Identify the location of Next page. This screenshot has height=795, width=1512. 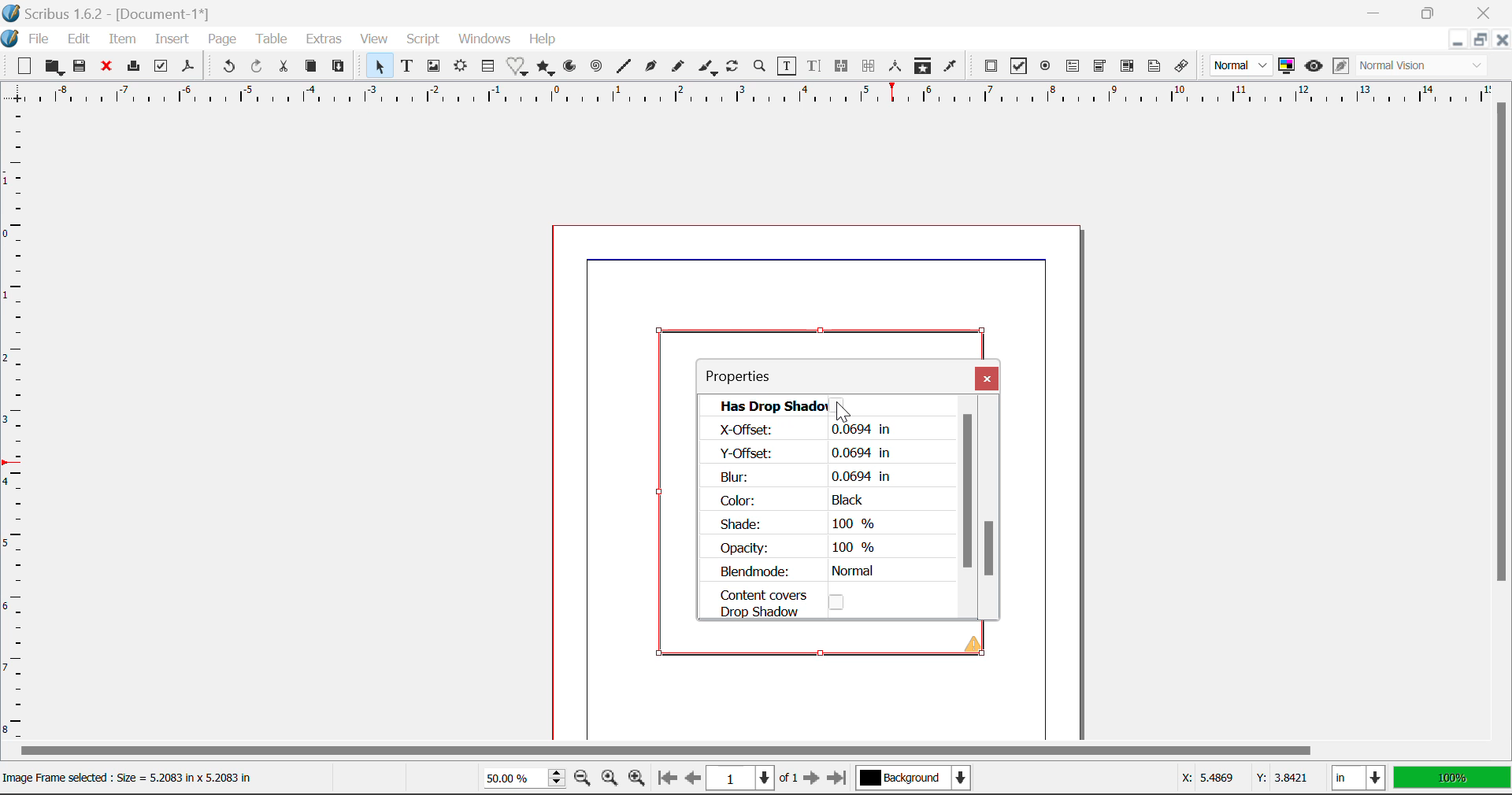
(813, 778).